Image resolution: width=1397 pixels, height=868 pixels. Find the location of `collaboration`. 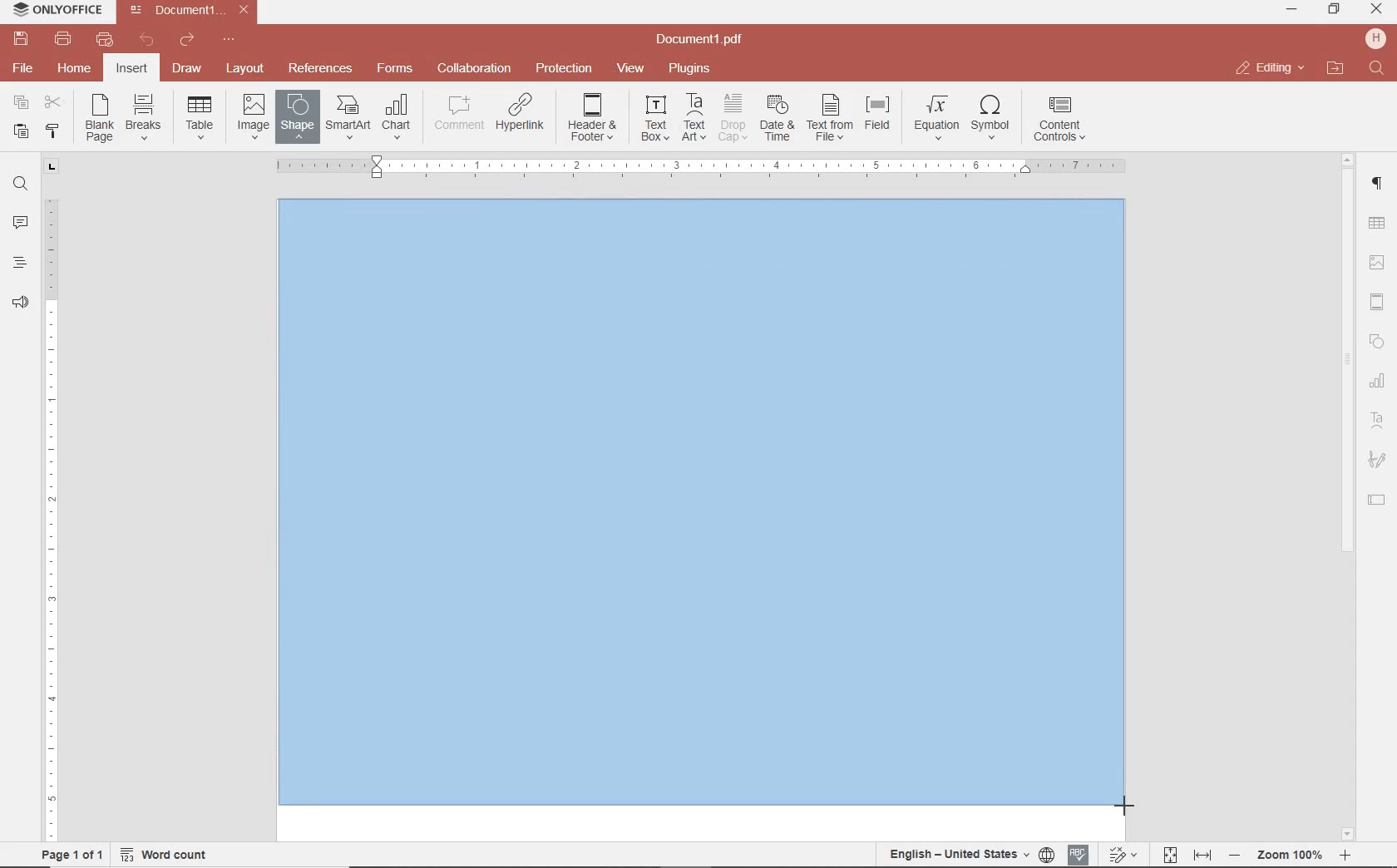

collaboration is located at coordinates (474, 69).